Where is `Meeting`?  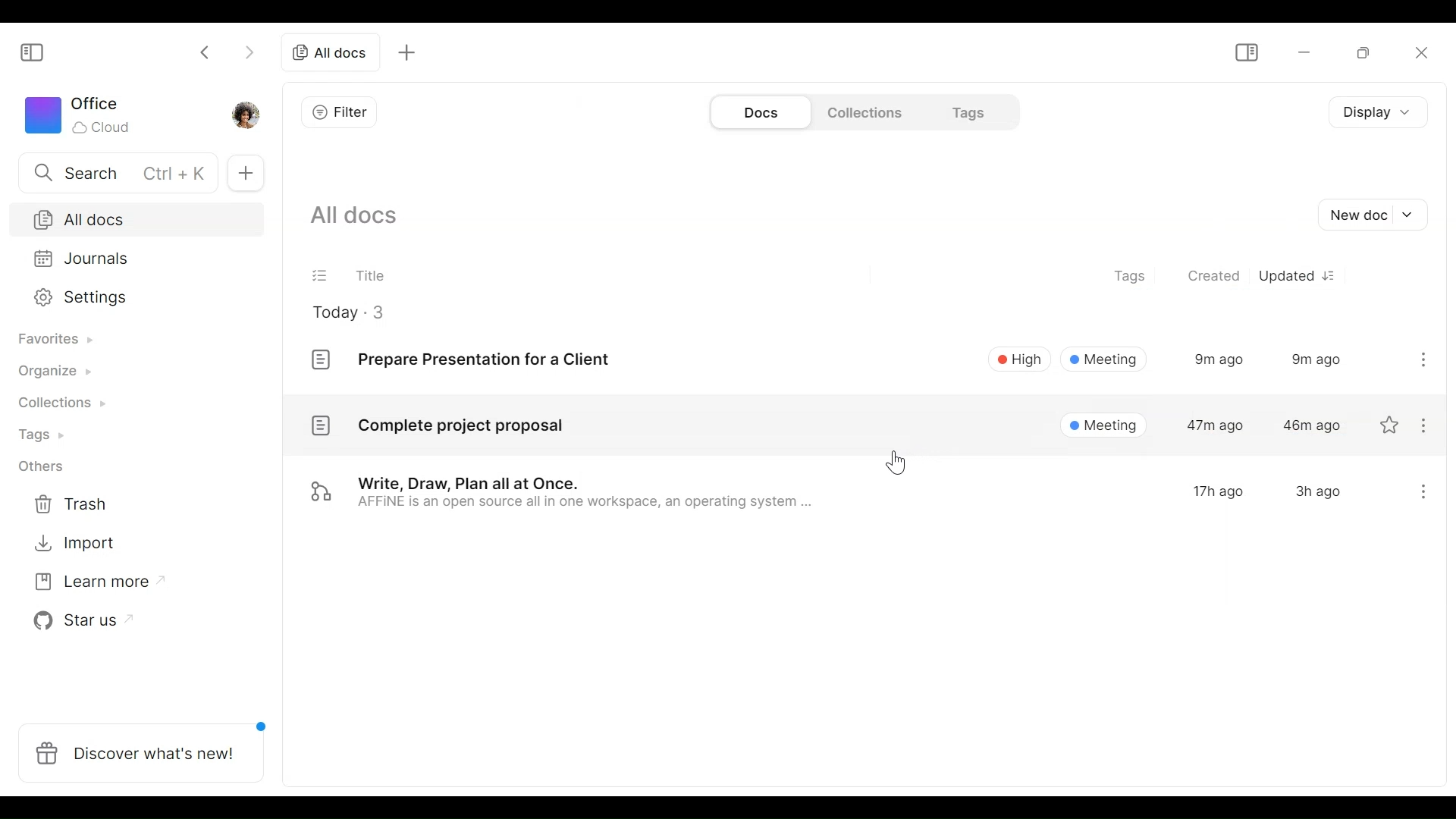
Meeting is located at coordinates (1105, 359).